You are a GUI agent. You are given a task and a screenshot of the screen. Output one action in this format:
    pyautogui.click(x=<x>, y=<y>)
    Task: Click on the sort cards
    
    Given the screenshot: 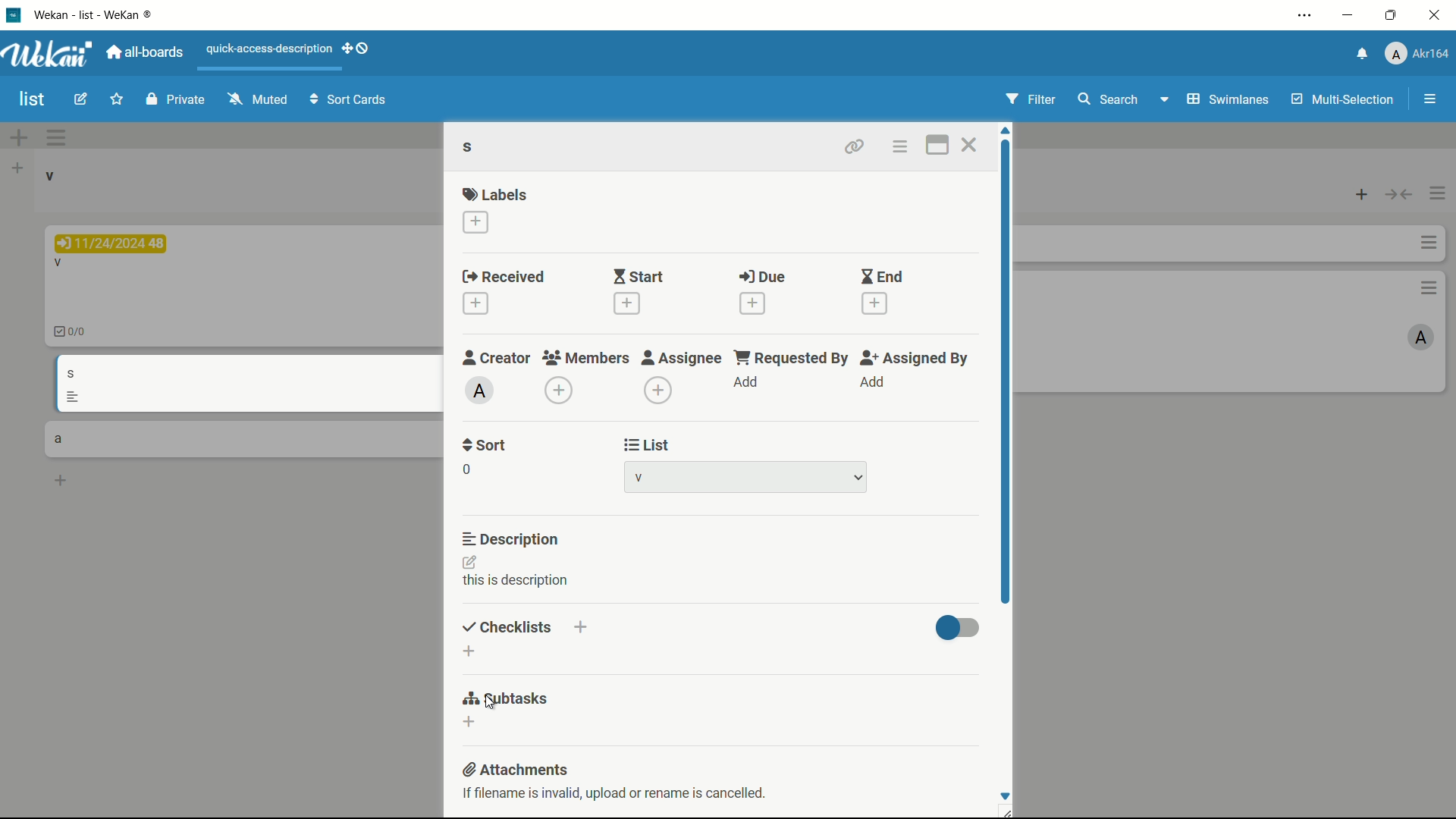 What is the action you would take?
    pyautogui.click(x=350, y=101)
    